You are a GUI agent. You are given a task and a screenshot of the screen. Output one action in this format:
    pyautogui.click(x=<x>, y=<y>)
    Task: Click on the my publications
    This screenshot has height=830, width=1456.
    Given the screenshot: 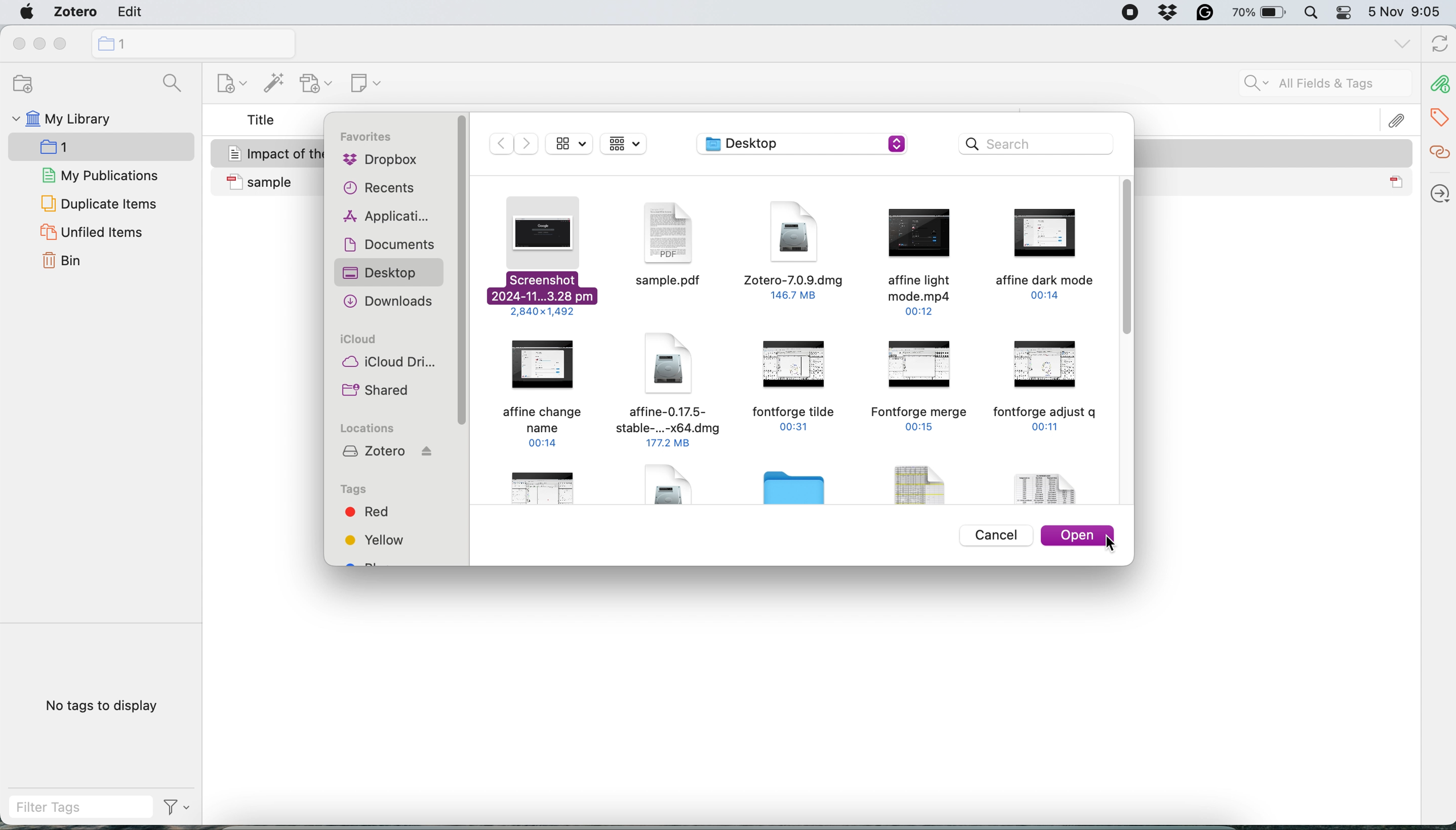 What is the action you would take?
    pyautogui.click(x=101, y=177)
    